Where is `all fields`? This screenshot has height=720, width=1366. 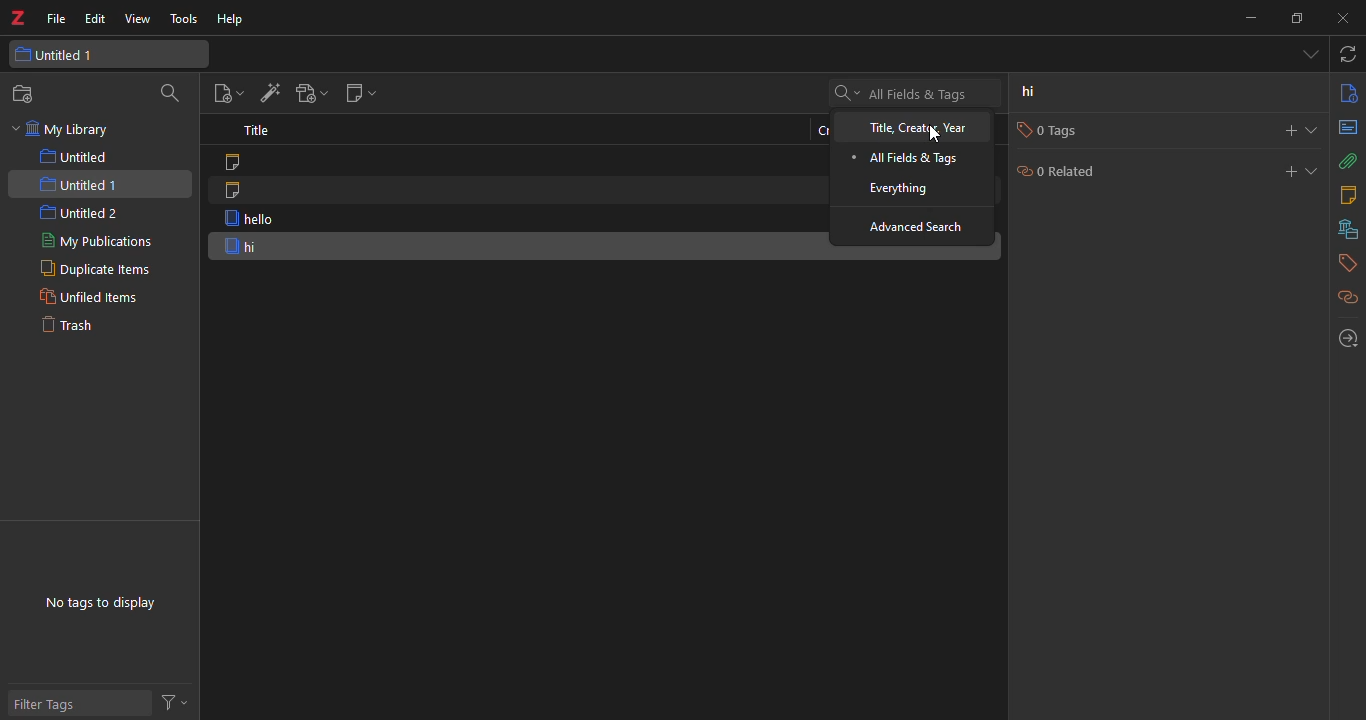
all fields is located at coordinates (907, 160).